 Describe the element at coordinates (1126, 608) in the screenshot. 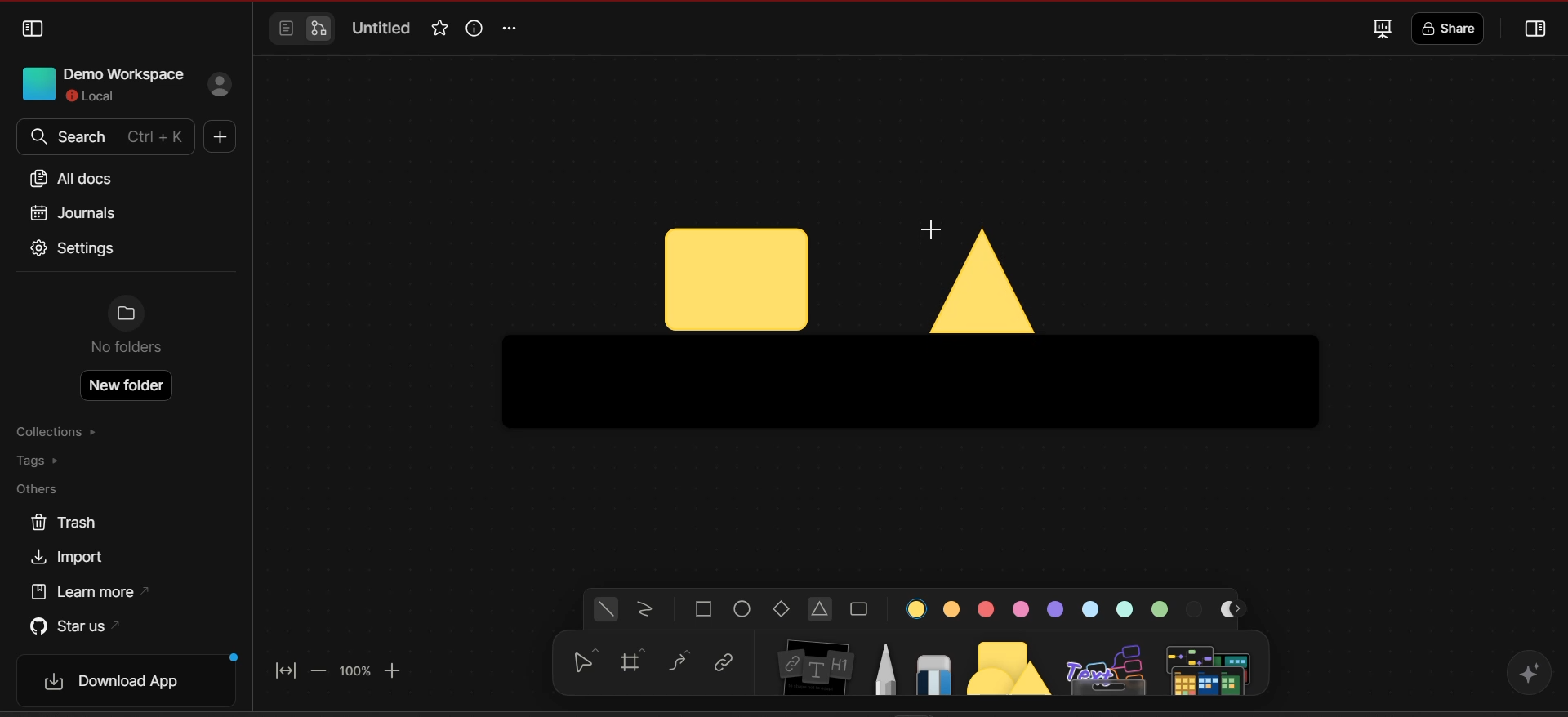

I see `color 7` at that location.